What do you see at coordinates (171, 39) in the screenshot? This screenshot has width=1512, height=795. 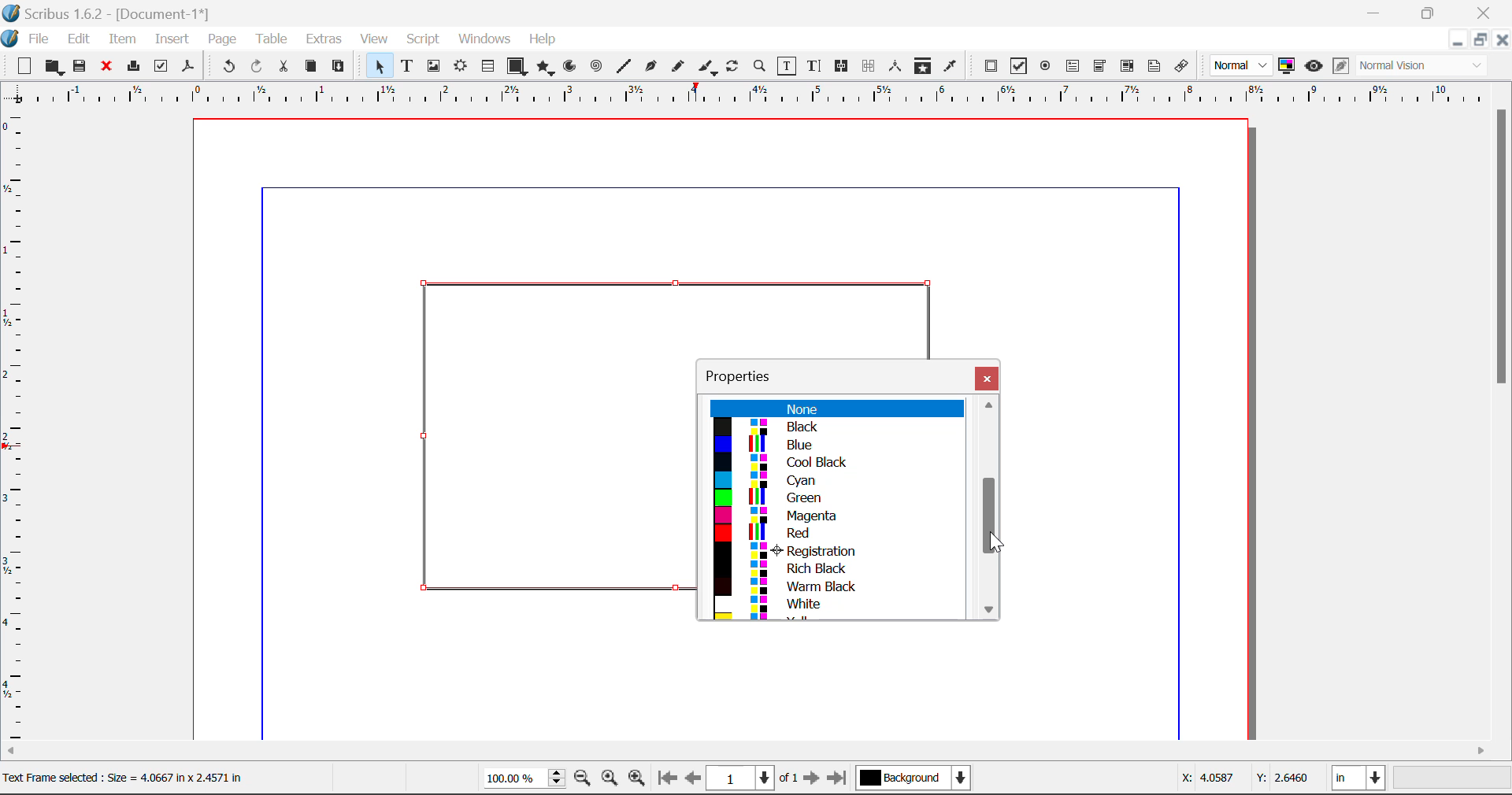 I see `Insert` at bounding box center [171, 39].